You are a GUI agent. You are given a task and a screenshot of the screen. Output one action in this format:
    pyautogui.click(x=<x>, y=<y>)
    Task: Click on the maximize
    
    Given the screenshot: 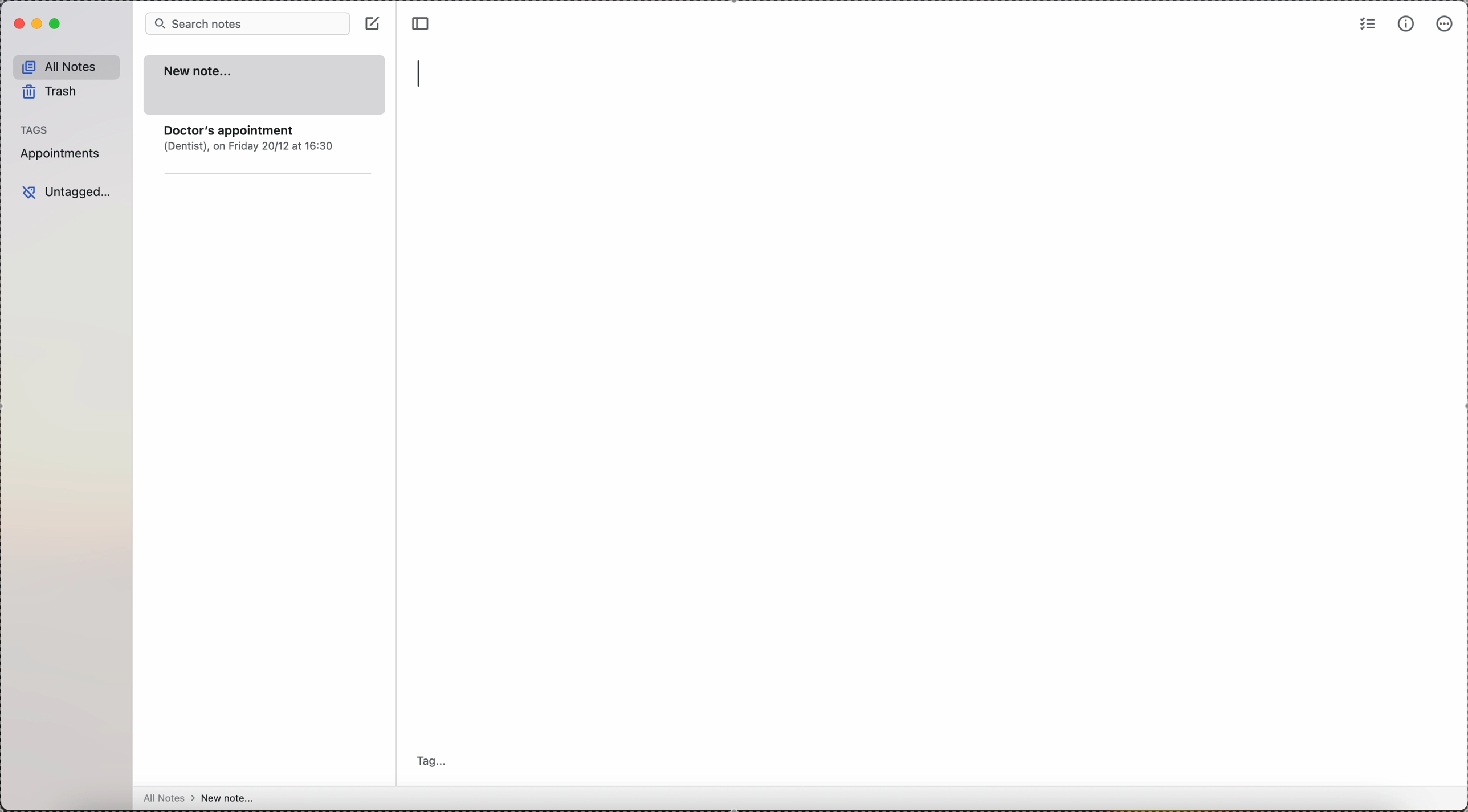 What is the action you would take?
    pyautogui.click(x=59, y=25)
    